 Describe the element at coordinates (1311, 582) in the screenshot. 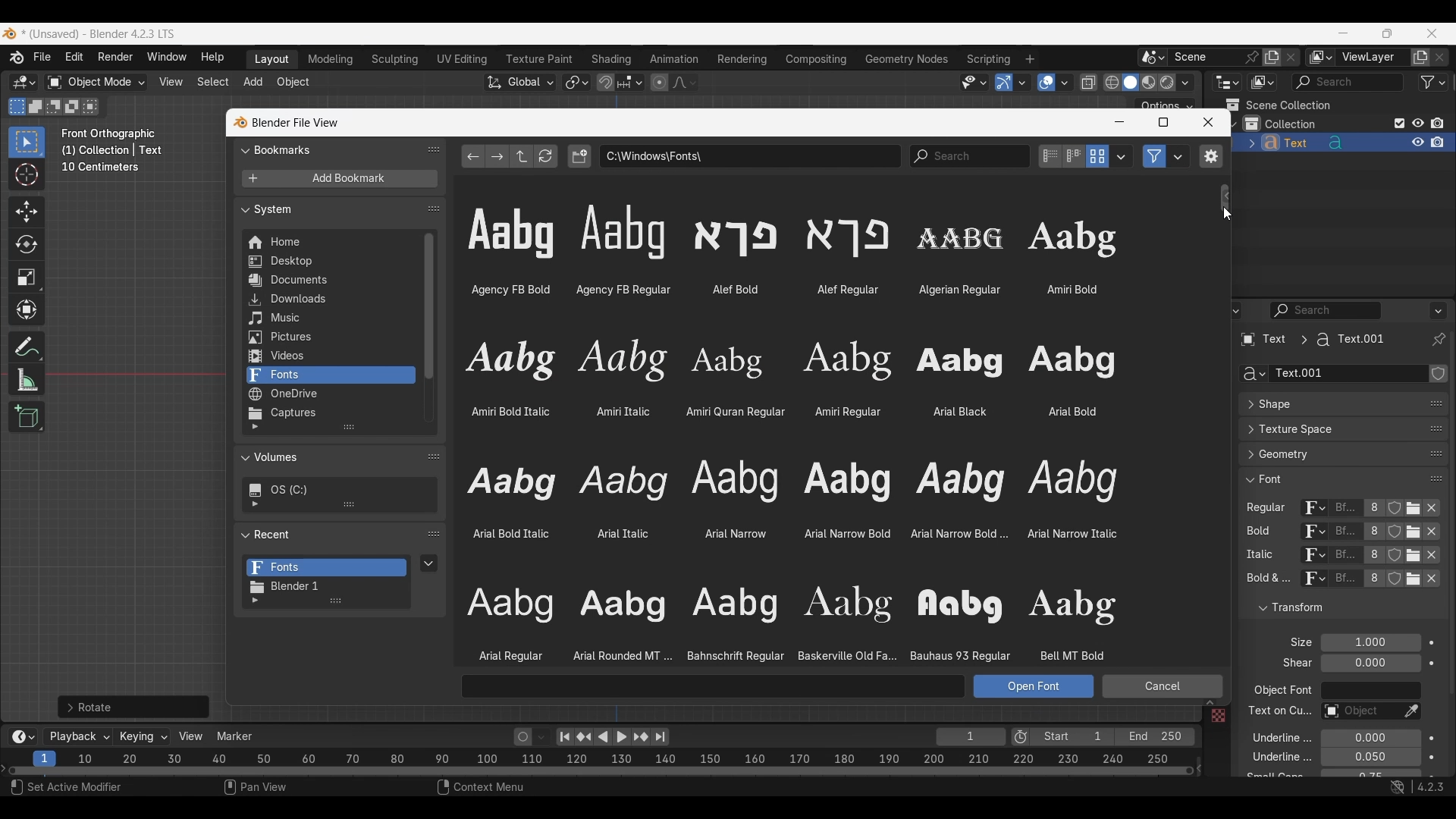

I see `Browse ID data` at that location.